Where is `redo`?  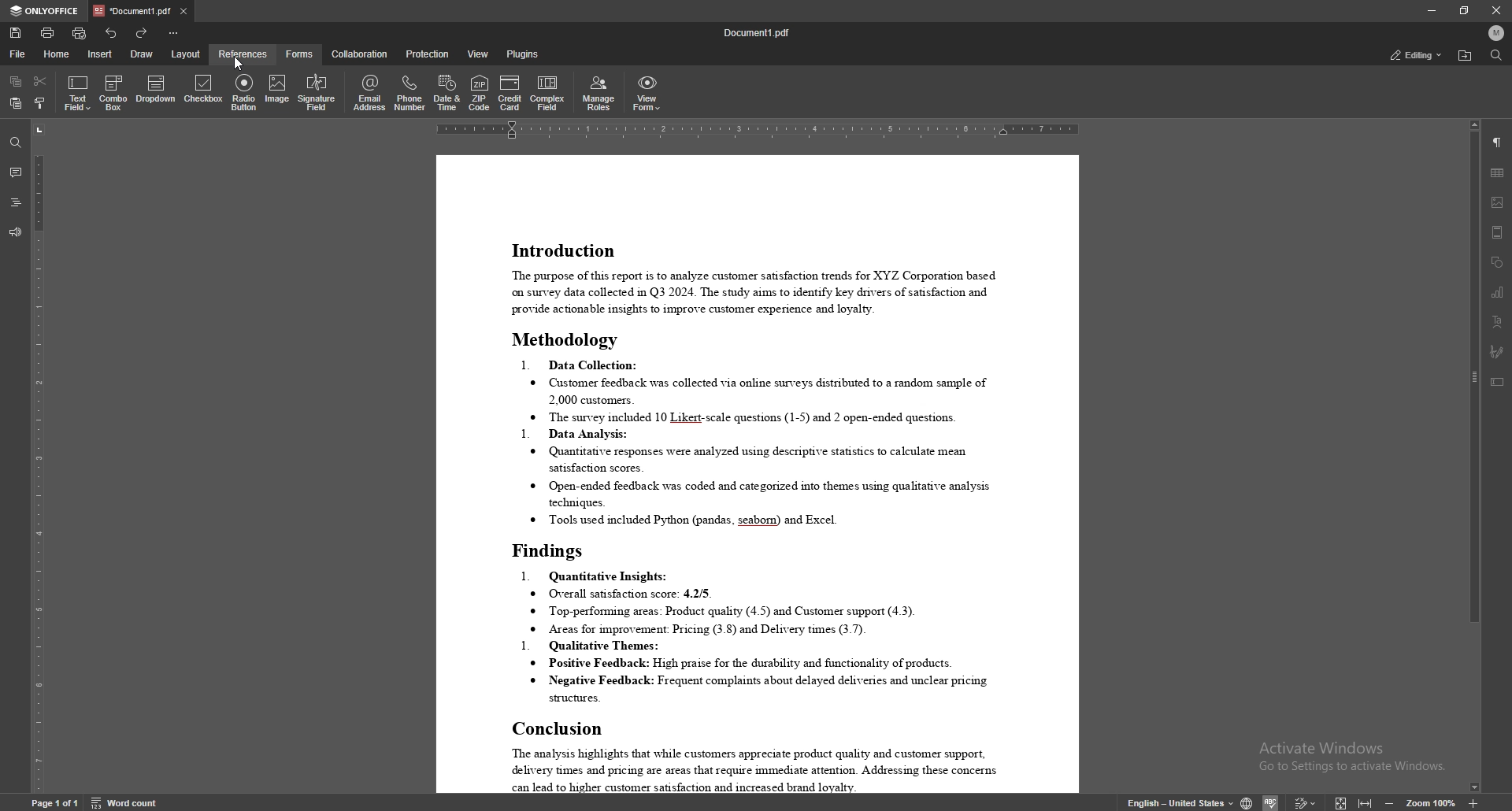 redo is located at coordinates (144, 33).